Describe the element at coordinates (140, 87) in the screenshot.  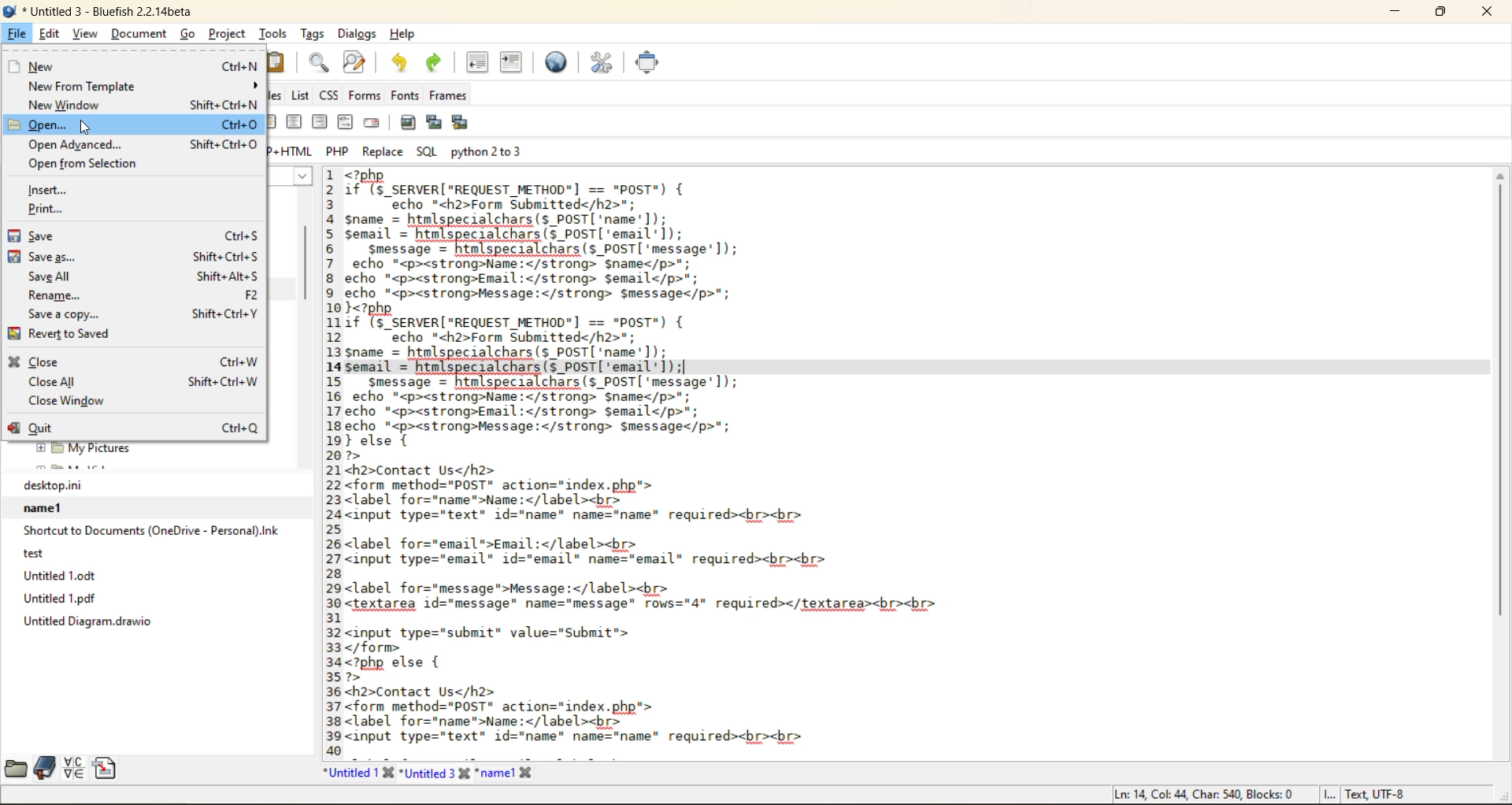
I see `new from template` at that location.